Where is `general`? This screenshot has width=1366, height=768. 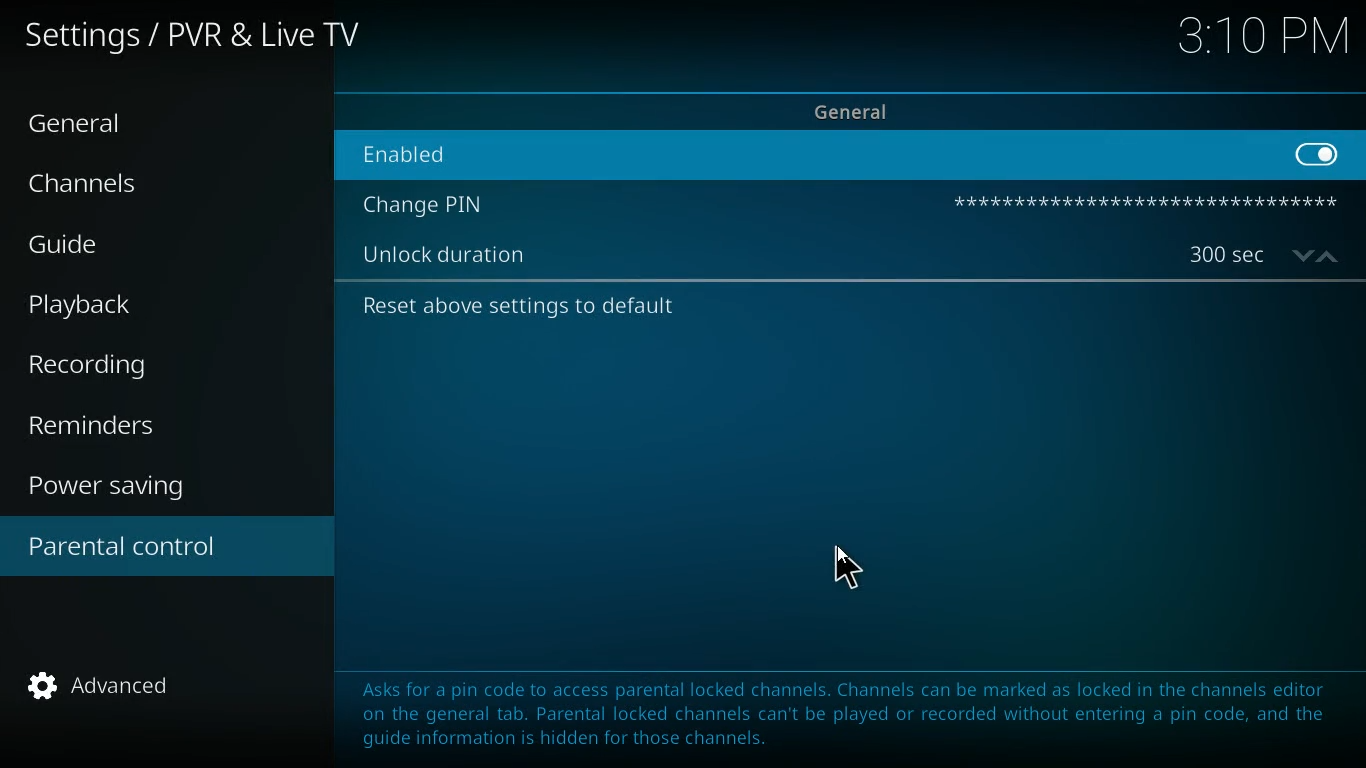 general is located at coordinates (868, 109).